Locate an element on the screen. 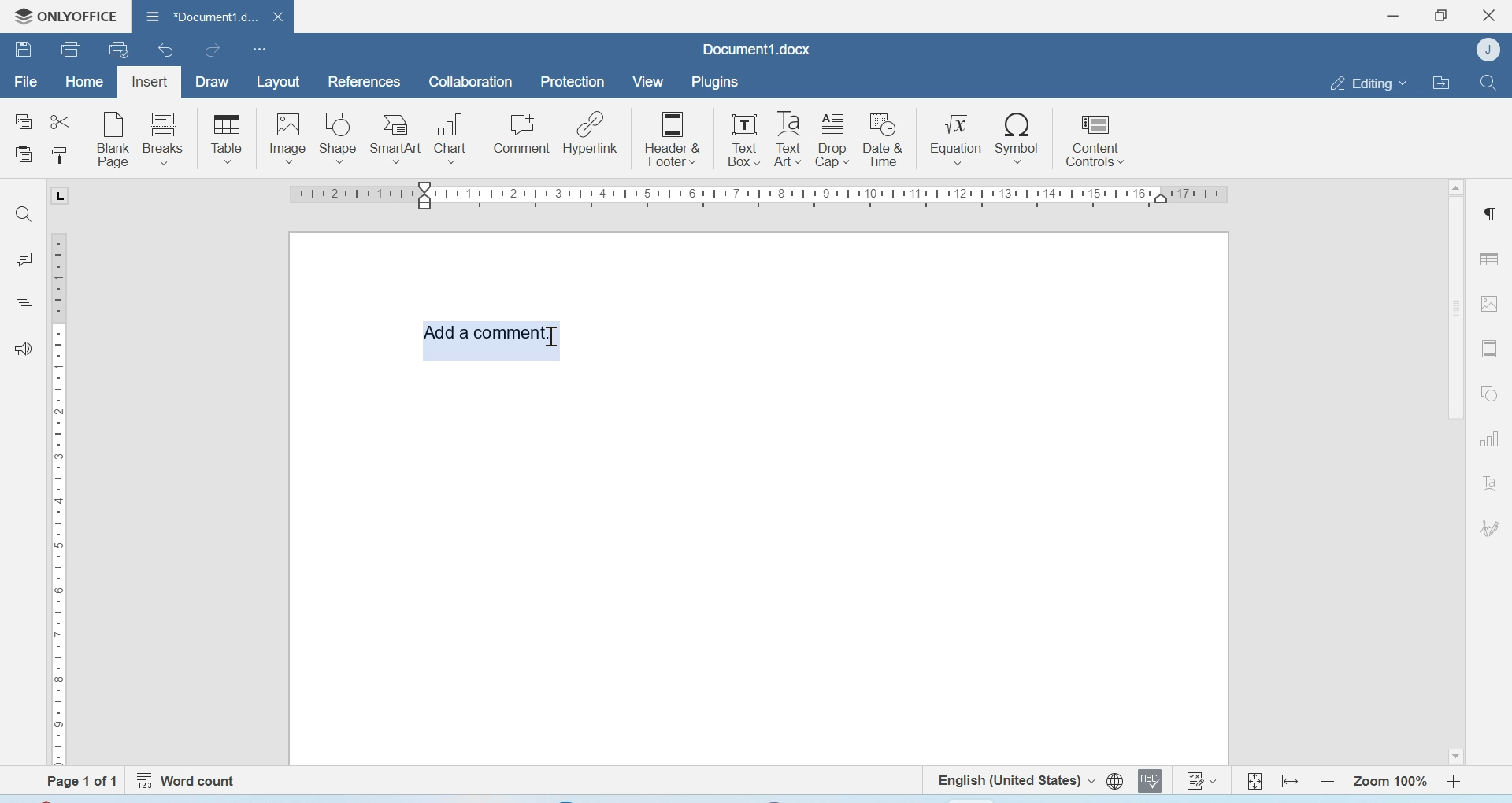 The height and width of the screenshot is (803, 1512). Graphs is located at coordinates (1489, 439).